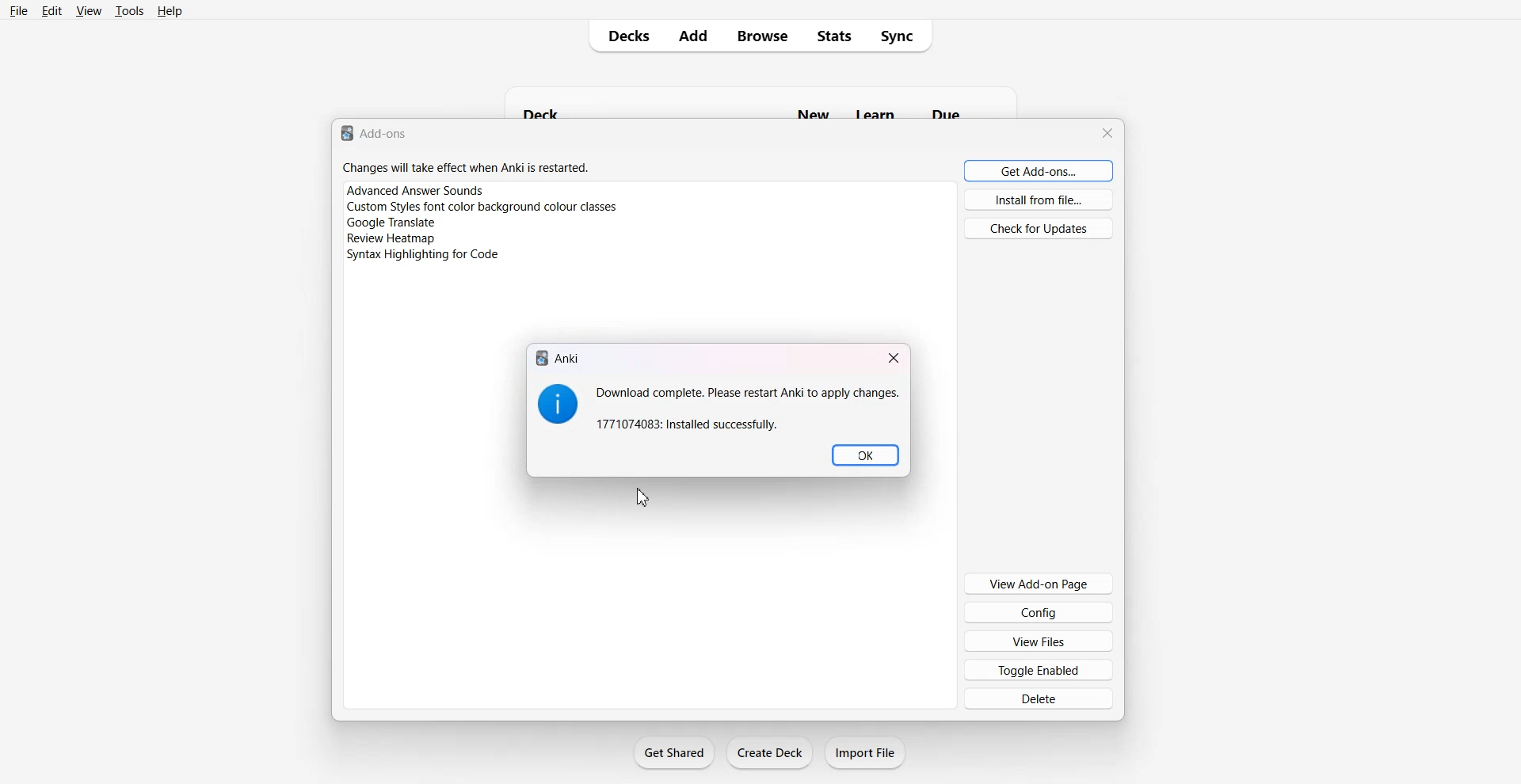 The width and height of the screenshot is (1521, 784). What do you see at coordinates (865, 455) in the screenshot?
I see `OK` at bounding box center [865, 455].